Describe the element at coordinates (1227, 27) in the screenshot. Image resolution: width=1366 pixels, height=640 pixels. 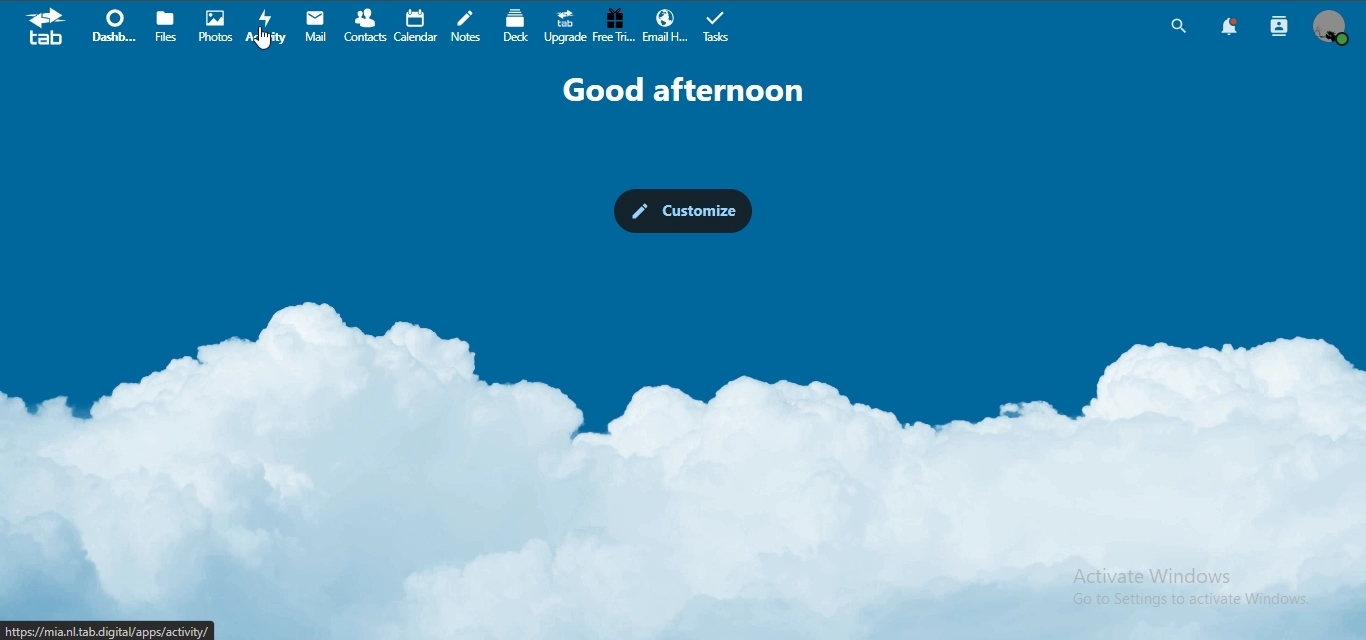
I see `notifications` at that location.